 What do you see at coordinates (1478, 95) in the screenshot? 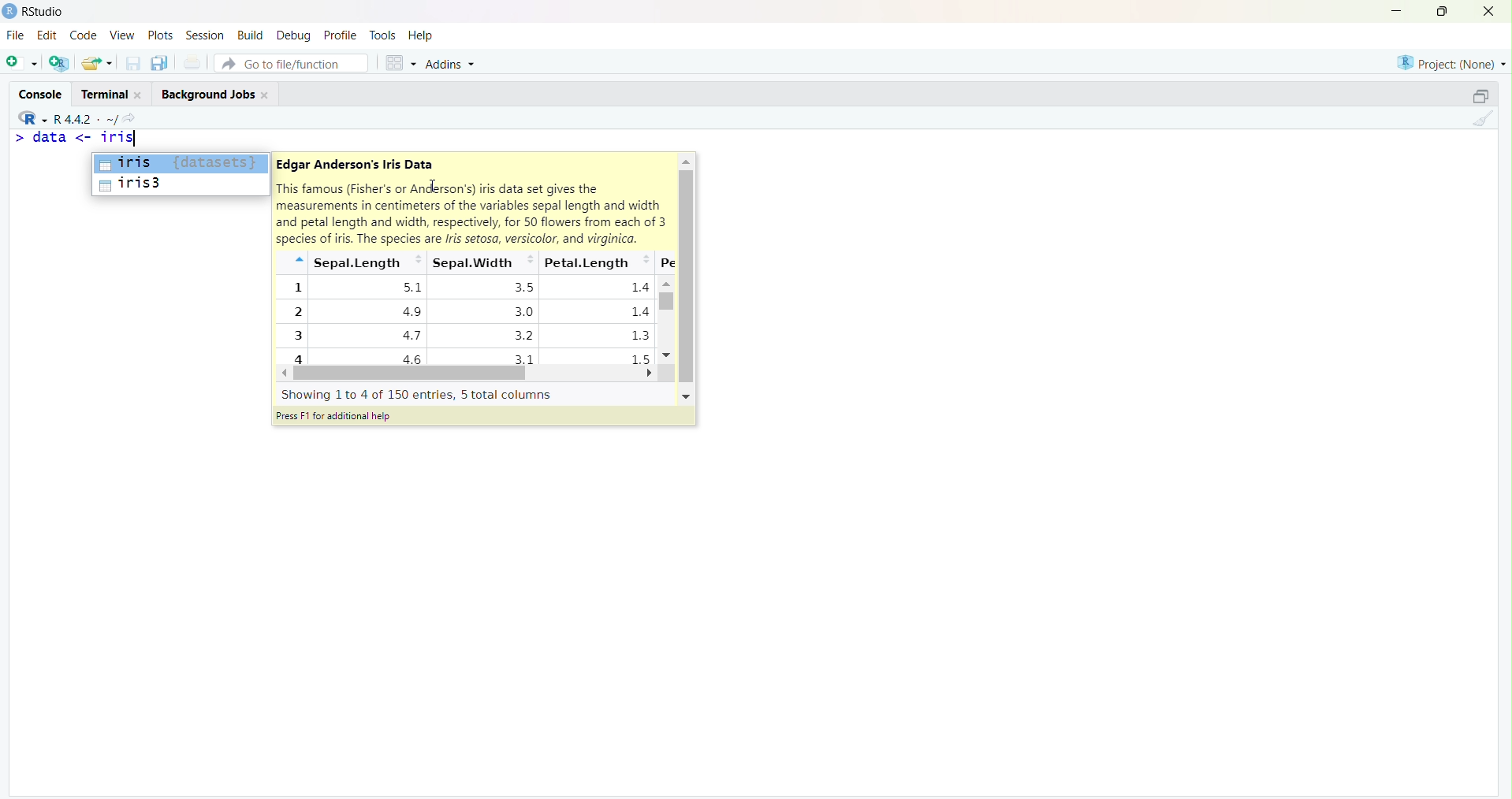
I see `Maximize/ Restore` at bounding box center [1478, 95].